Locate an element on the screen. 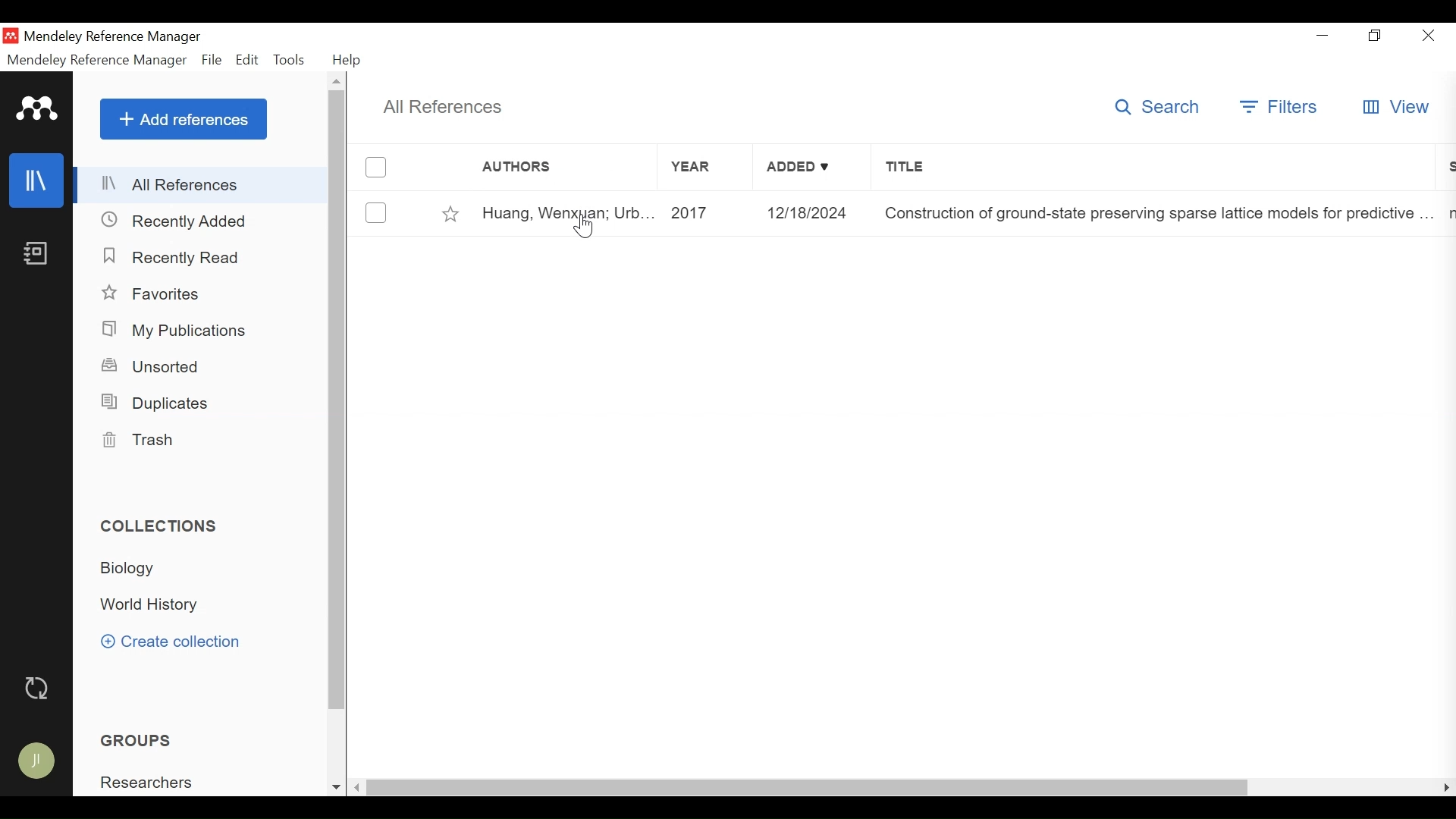 Image resolution: width=1456 pixels, height=819 pixels. (un)select all is located at coordinates (375, 167).